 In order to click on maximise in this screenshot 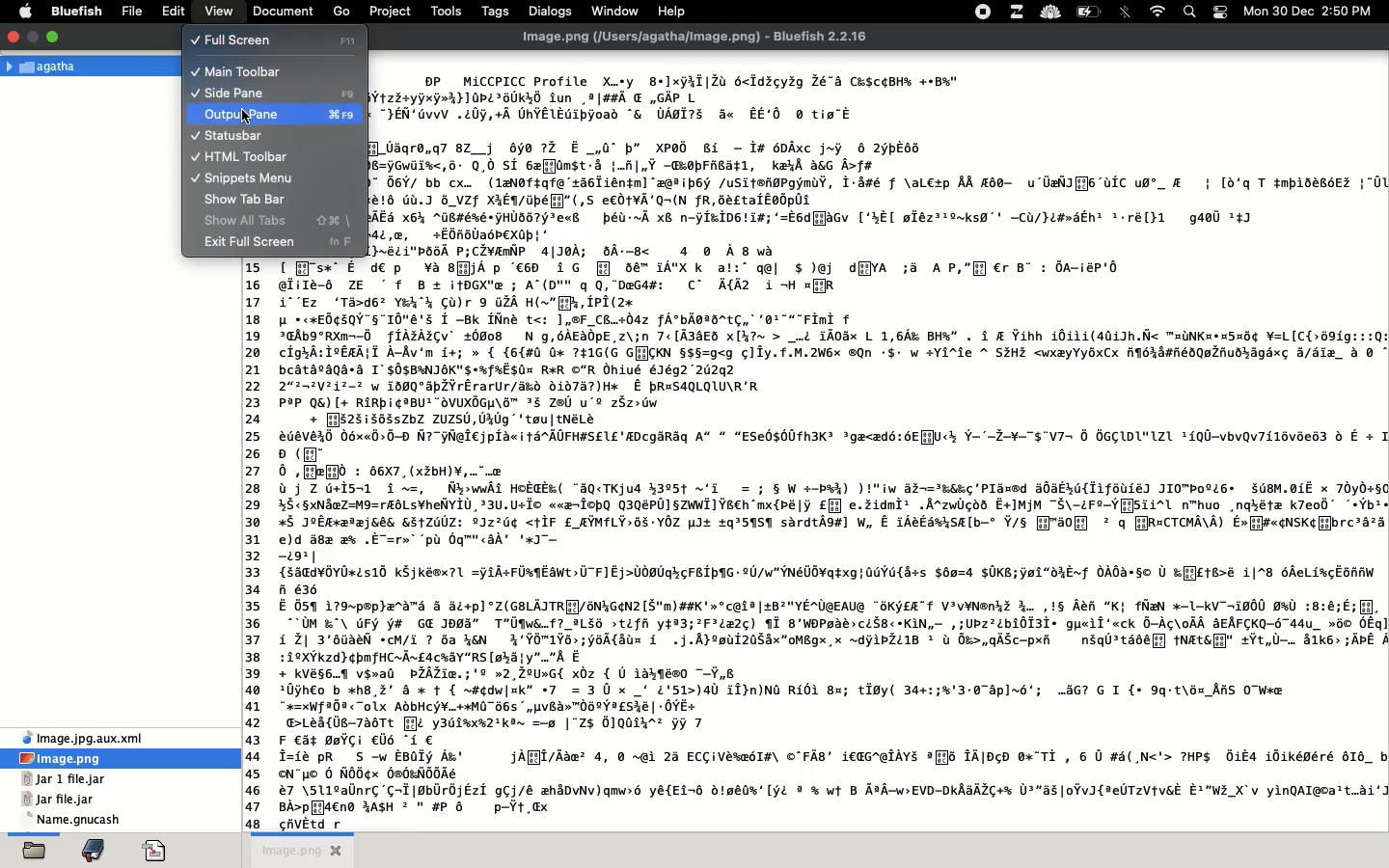, I will do `click(54, 37)`.